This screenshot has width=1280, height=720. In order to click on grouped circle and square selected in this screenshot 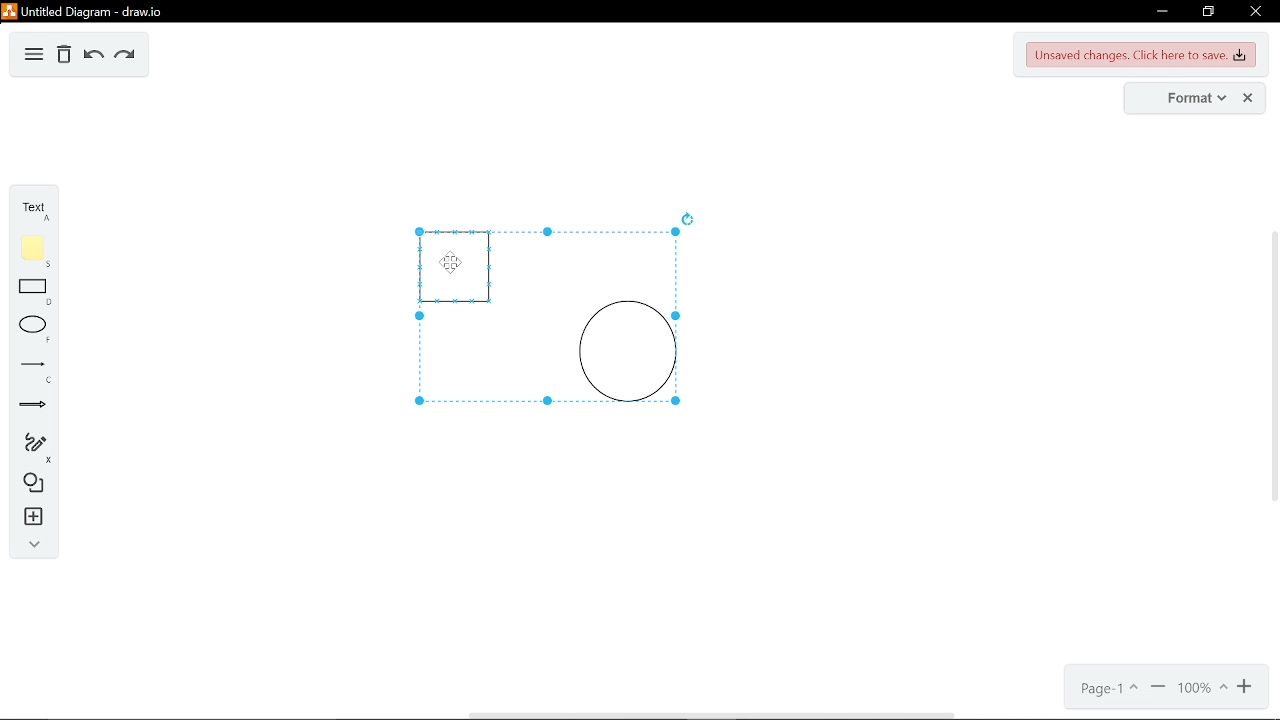, I will do `click(547, 317)`.